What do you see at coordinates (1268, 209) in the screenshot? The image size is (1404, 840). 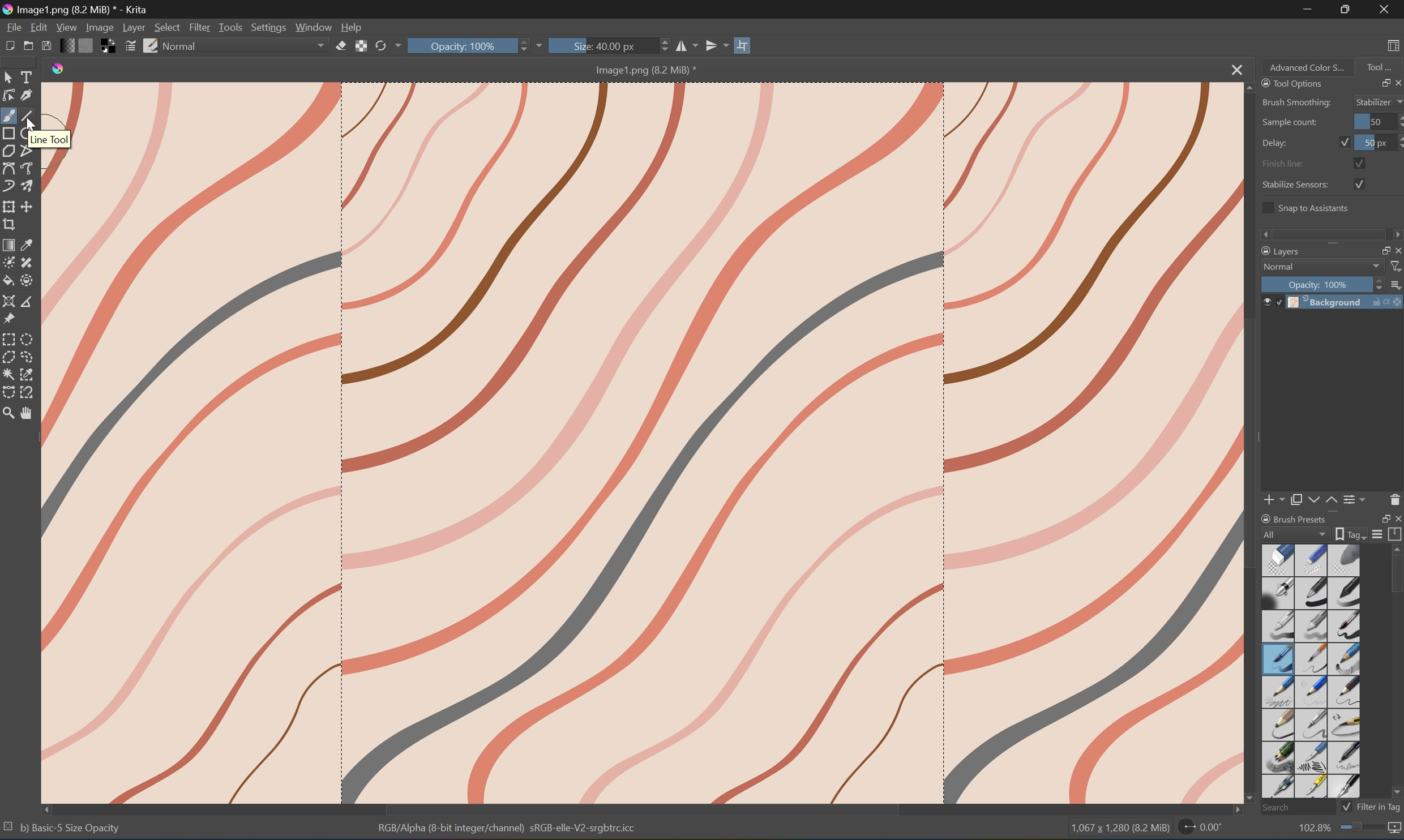 I see `Checkbox` at bounding box center [1268, 209].